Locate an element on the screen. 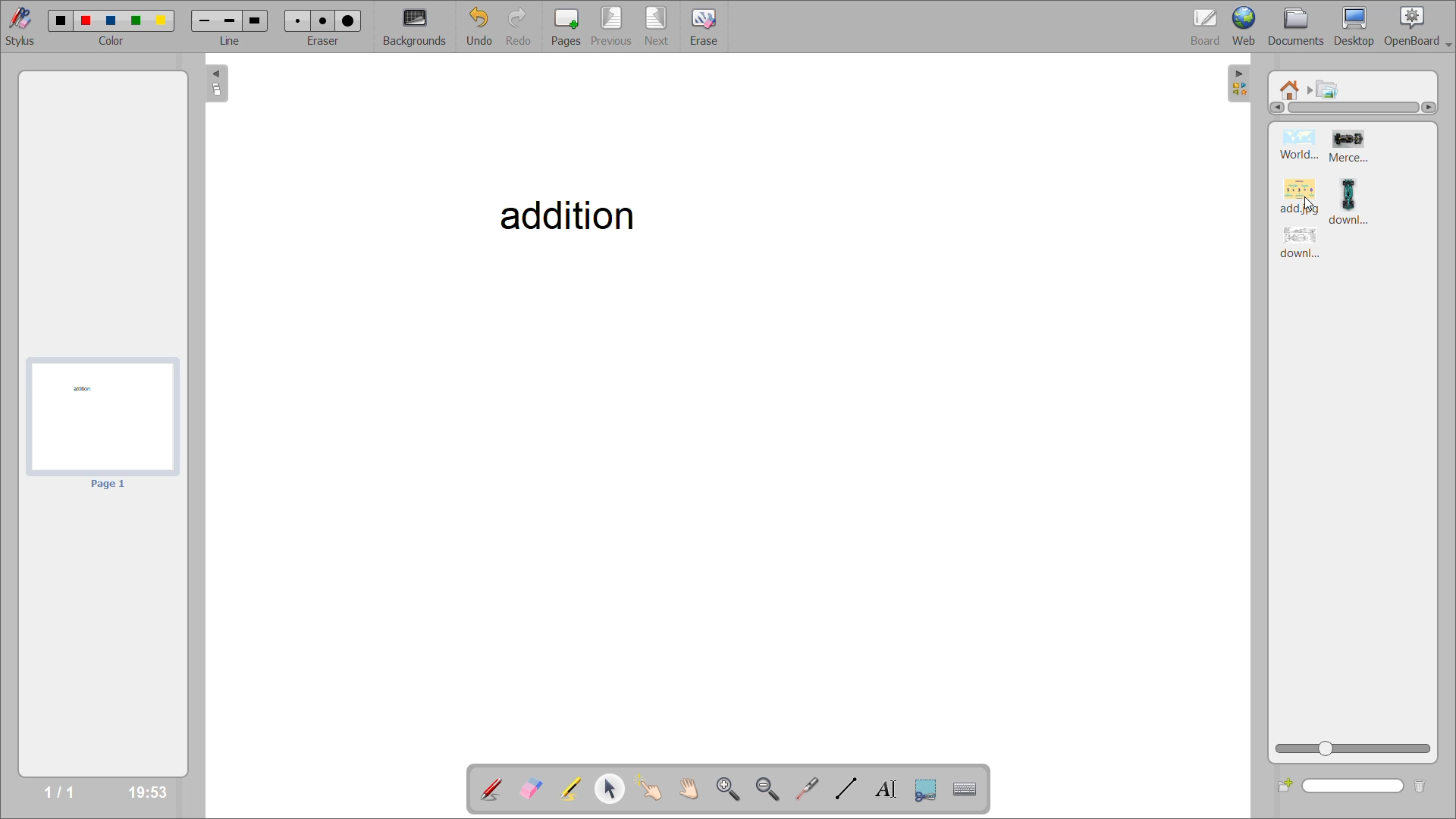 This screenshot has width=1456, height=819. redo is located at coordinates (523, 27).